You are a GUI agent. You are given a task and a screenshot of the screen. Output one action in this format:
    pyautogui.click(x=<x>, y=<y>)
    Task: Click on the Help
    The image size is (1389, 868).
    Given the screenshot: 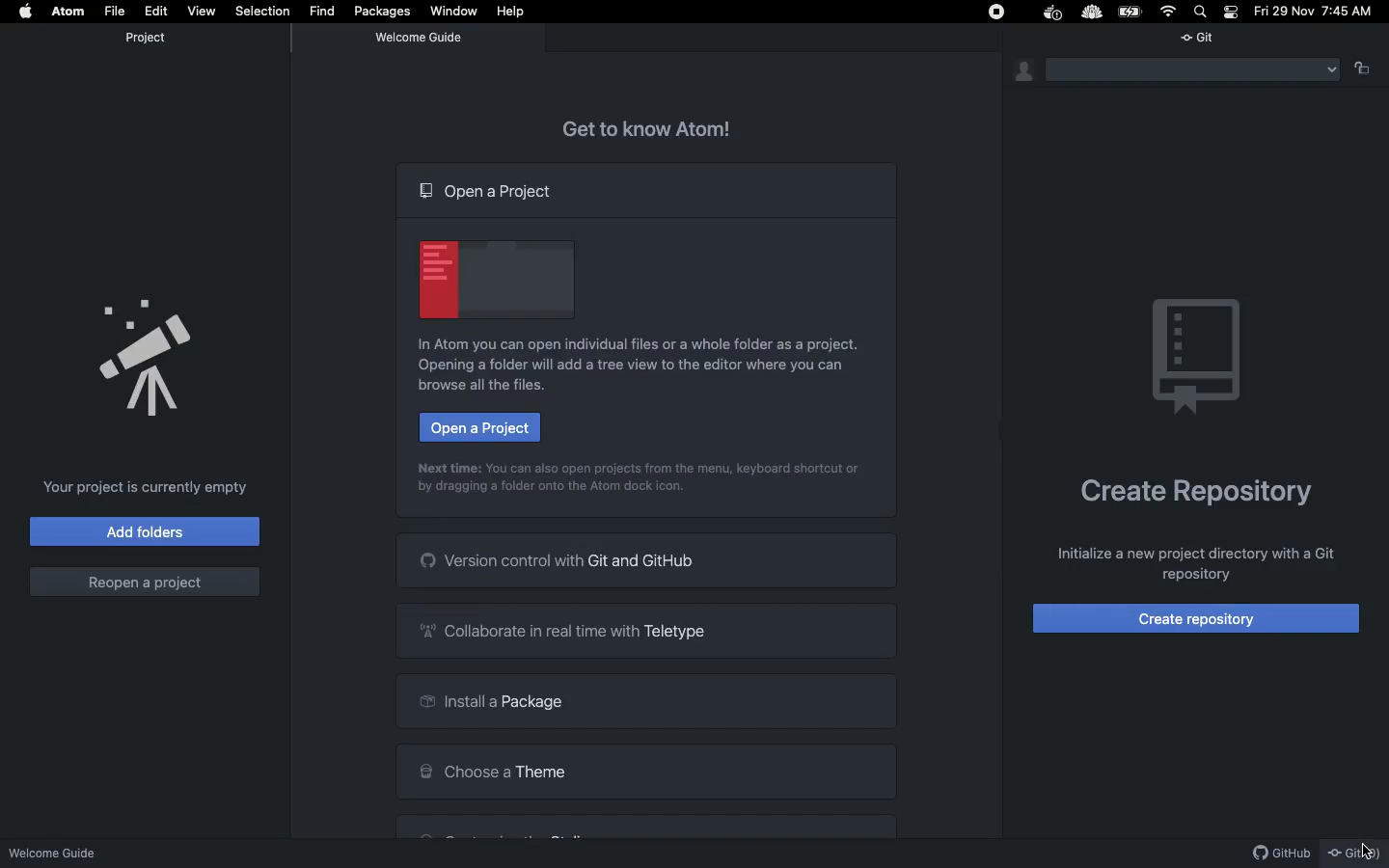 What is the action you would take?
    pyautogui.click(x=514, y=12)
    